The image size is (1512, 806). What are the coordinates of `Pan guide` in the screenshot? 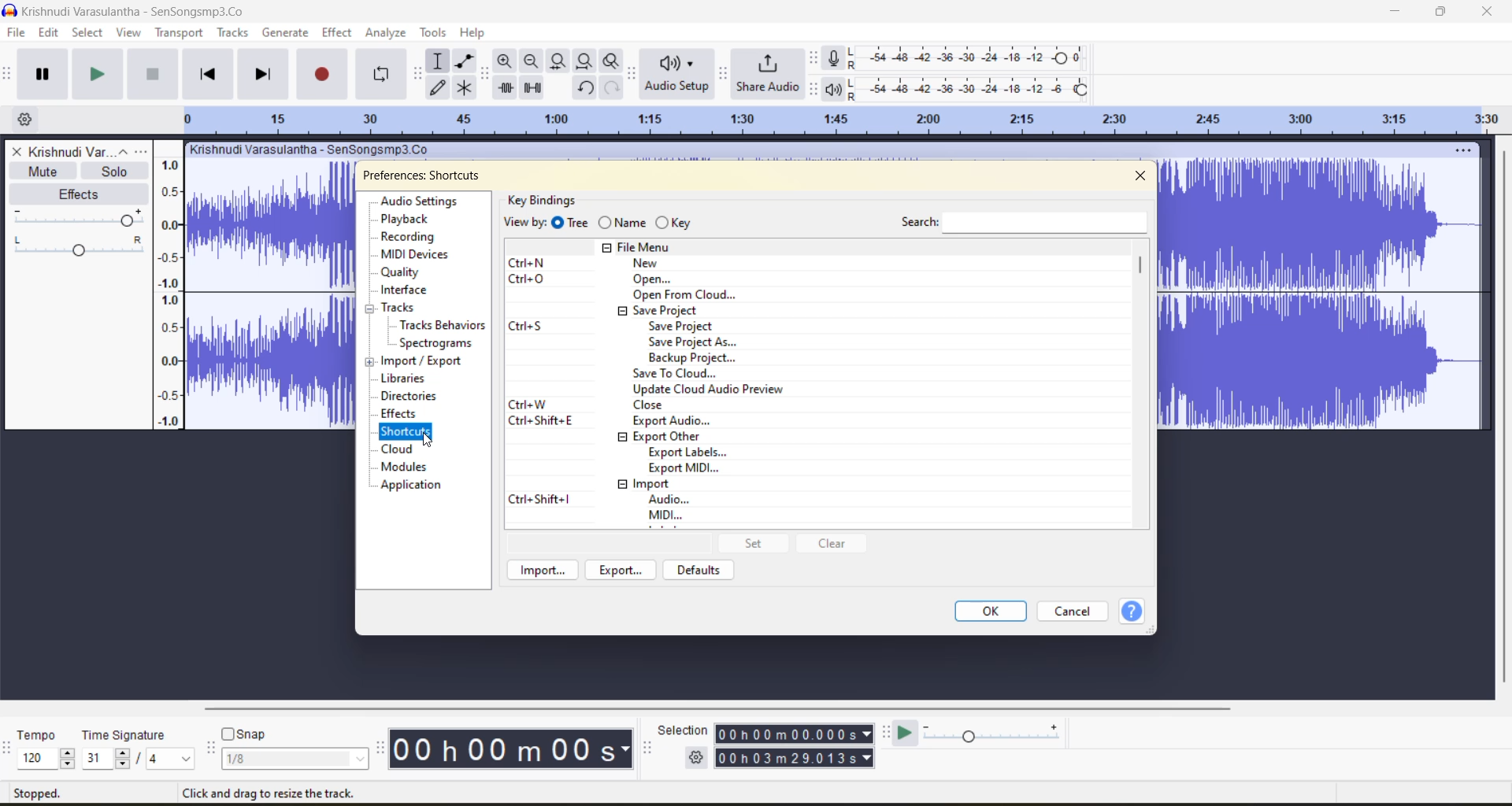 It's located at (129, 241).